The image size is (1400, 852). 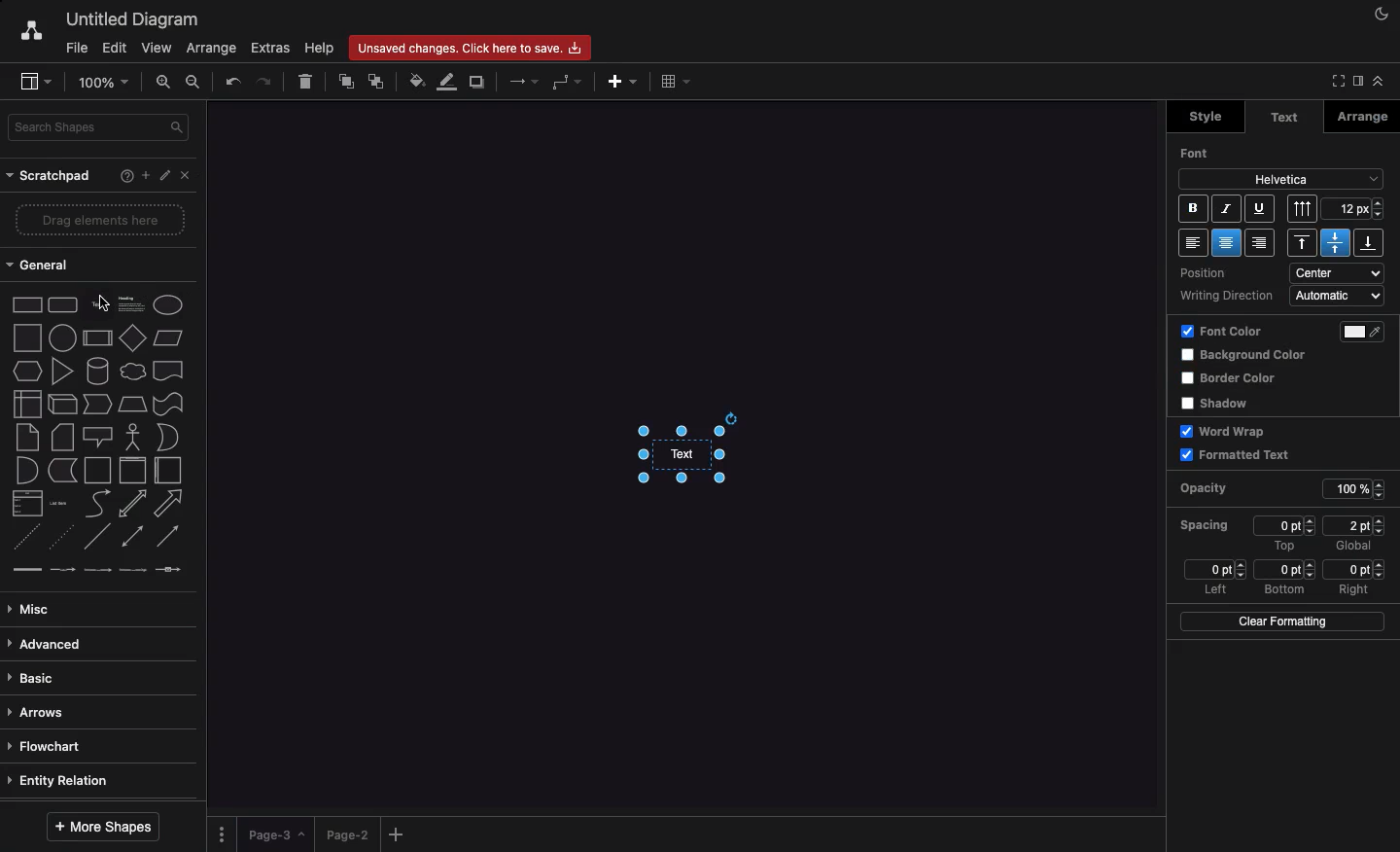 What do you see at coordinates (1214, 569) in the screenshot?
I see `0 pt` at bounding box center [1214, 569].